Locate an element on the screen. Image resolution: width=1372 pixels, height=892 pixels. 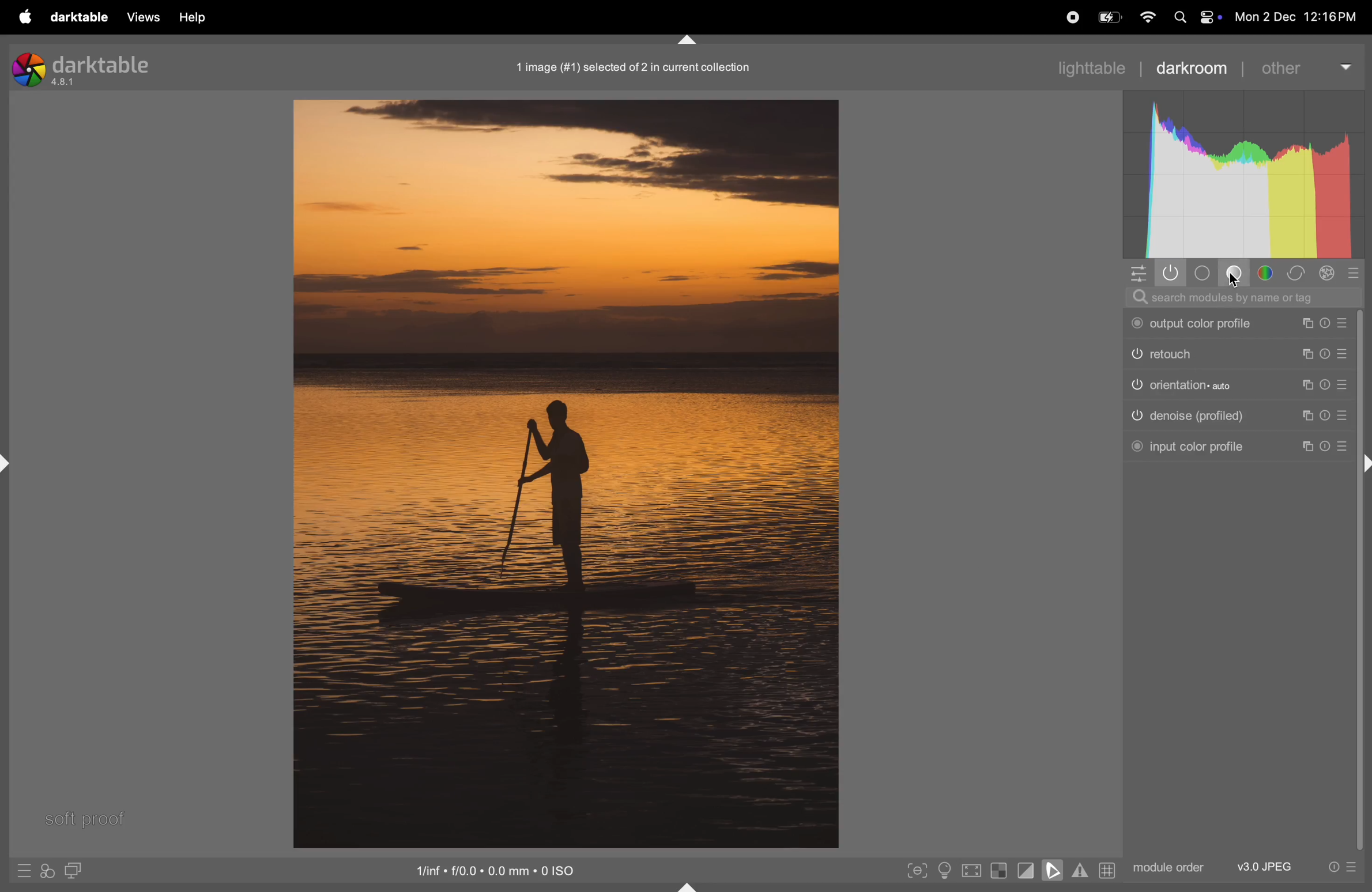
cursor is located at coordinates (1232, 278).